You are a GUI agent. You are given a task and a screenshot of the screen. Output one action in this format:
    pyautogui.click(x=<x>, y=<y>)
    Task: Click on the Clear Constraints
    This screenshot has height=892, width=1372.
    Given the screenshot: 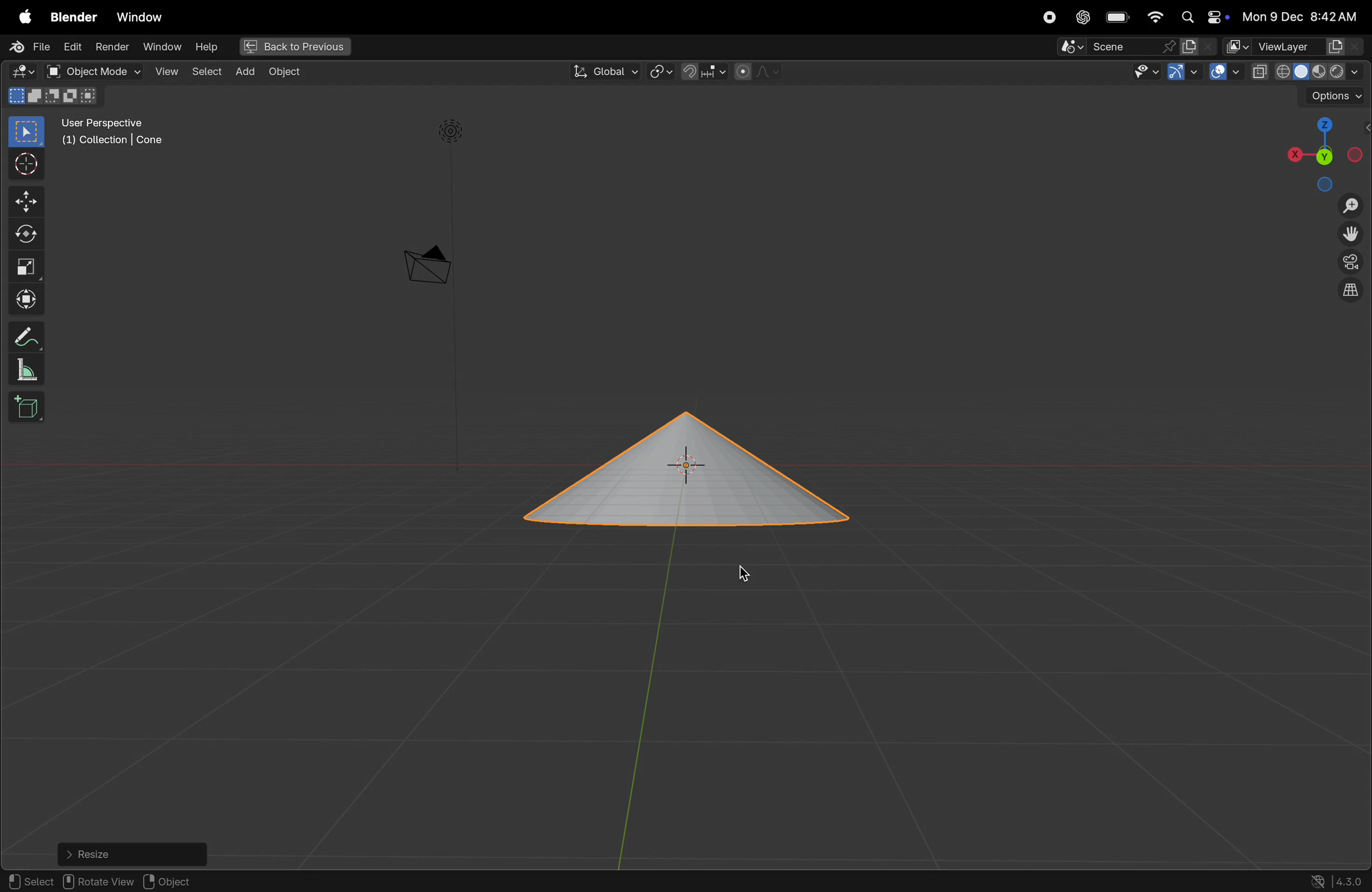 What is the action you would take?
    pyautogui.click(x=374, y=881)
    